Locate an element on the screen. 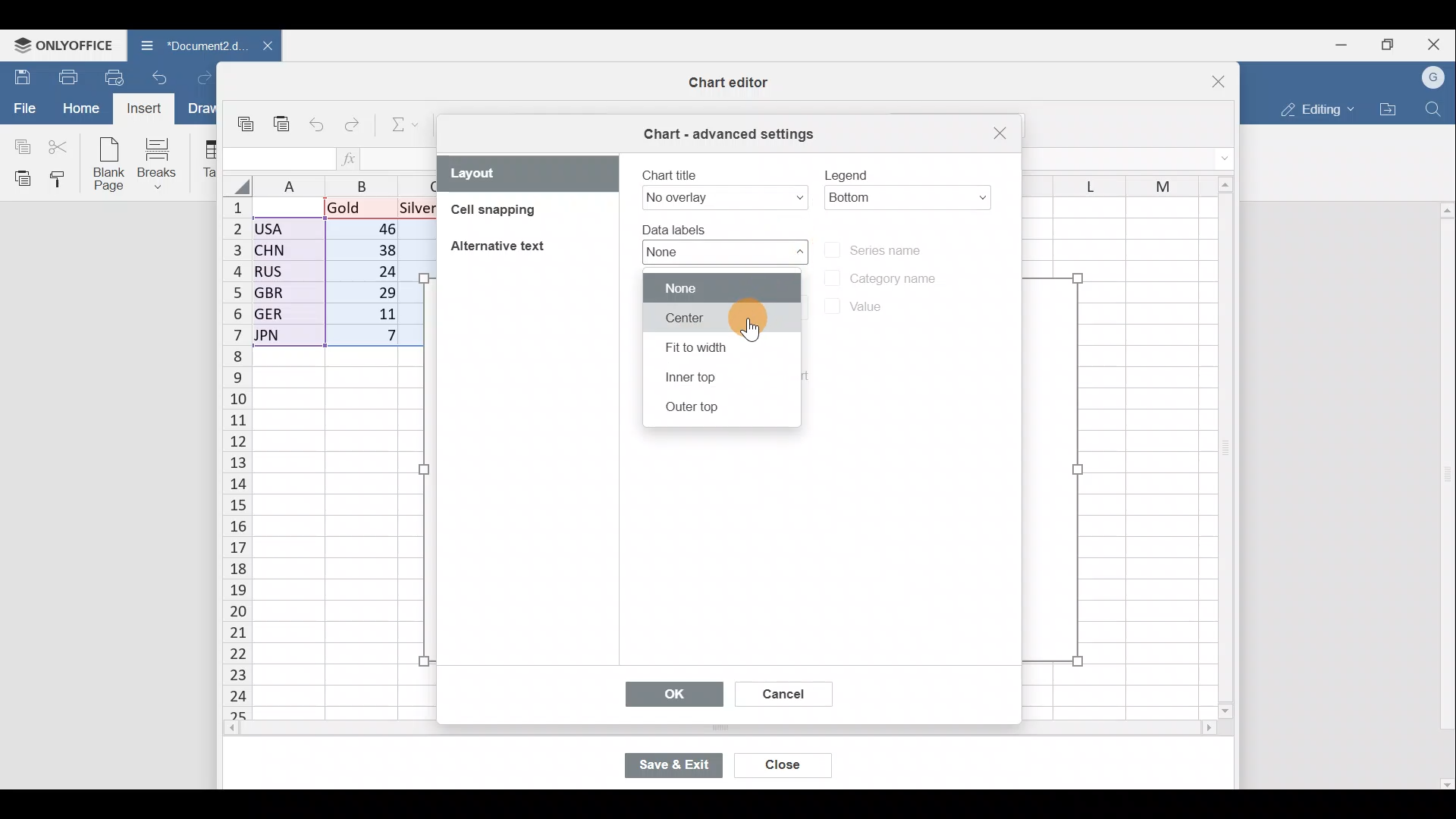 This screenshot has height=819, width=1456. Alternative text is located at coordinates (501, 245).